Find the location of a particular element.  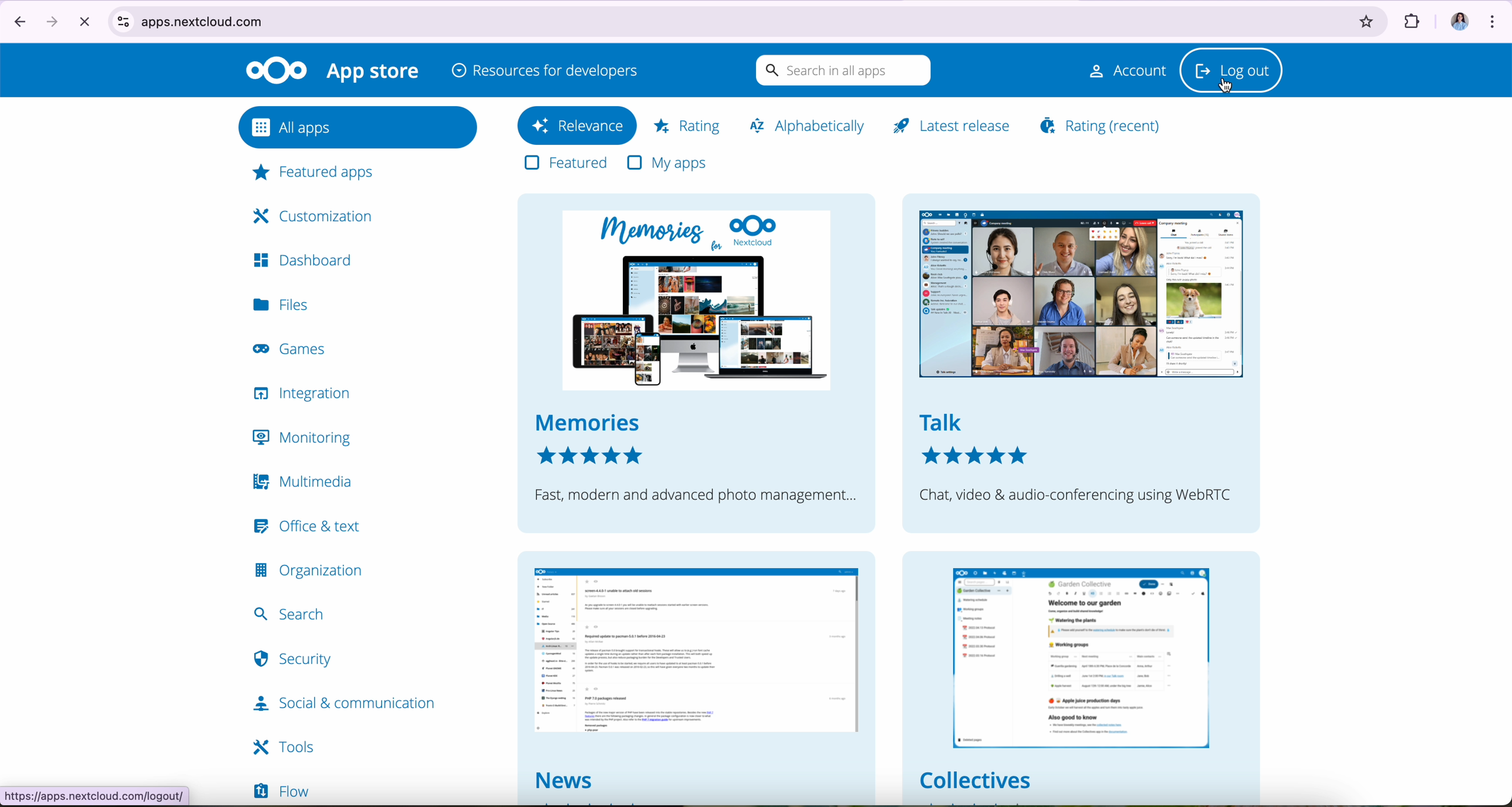

Nextcloud logo is located at coordinates (276, 69).